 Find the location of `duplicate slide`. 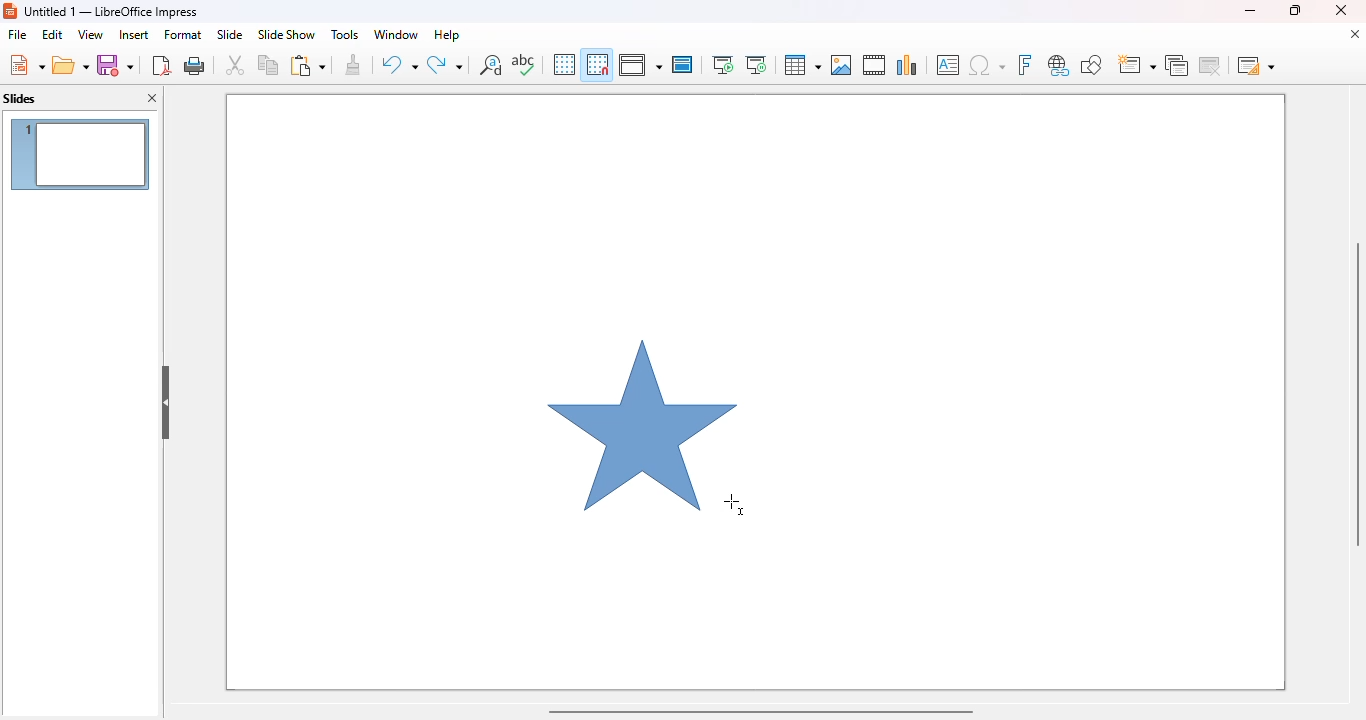

duplicate slide is located at coordinates (1177, 65).